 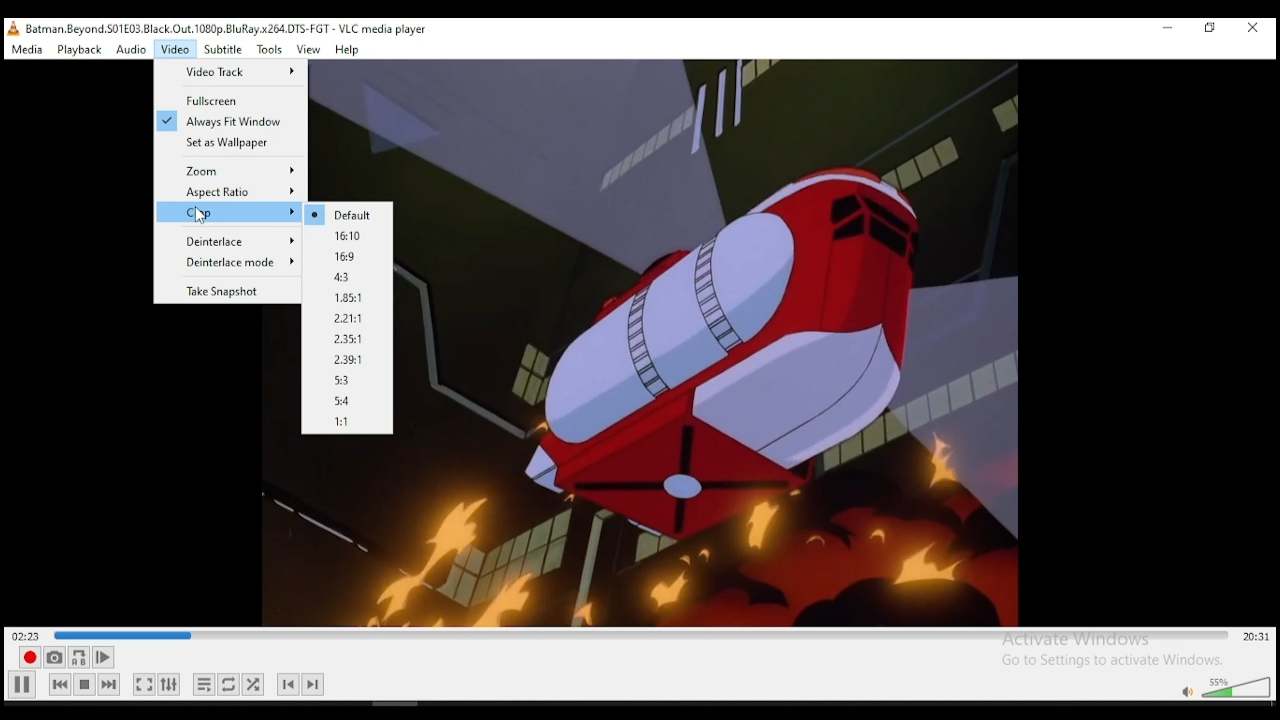 I want to click on Take snapshot, so click(x=228, y=291).